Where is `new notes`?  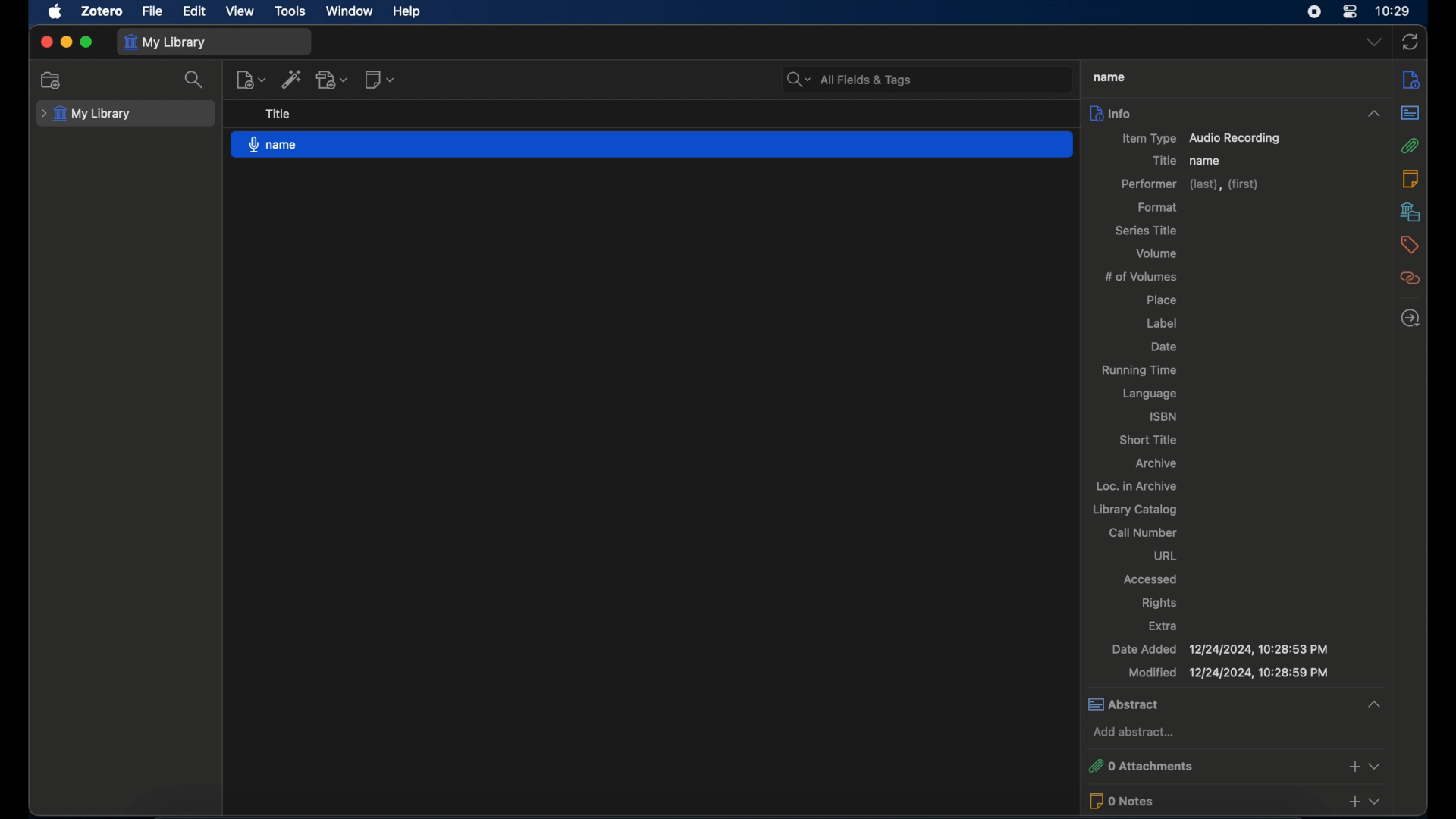 new notes is located at coordinates (381, 79).